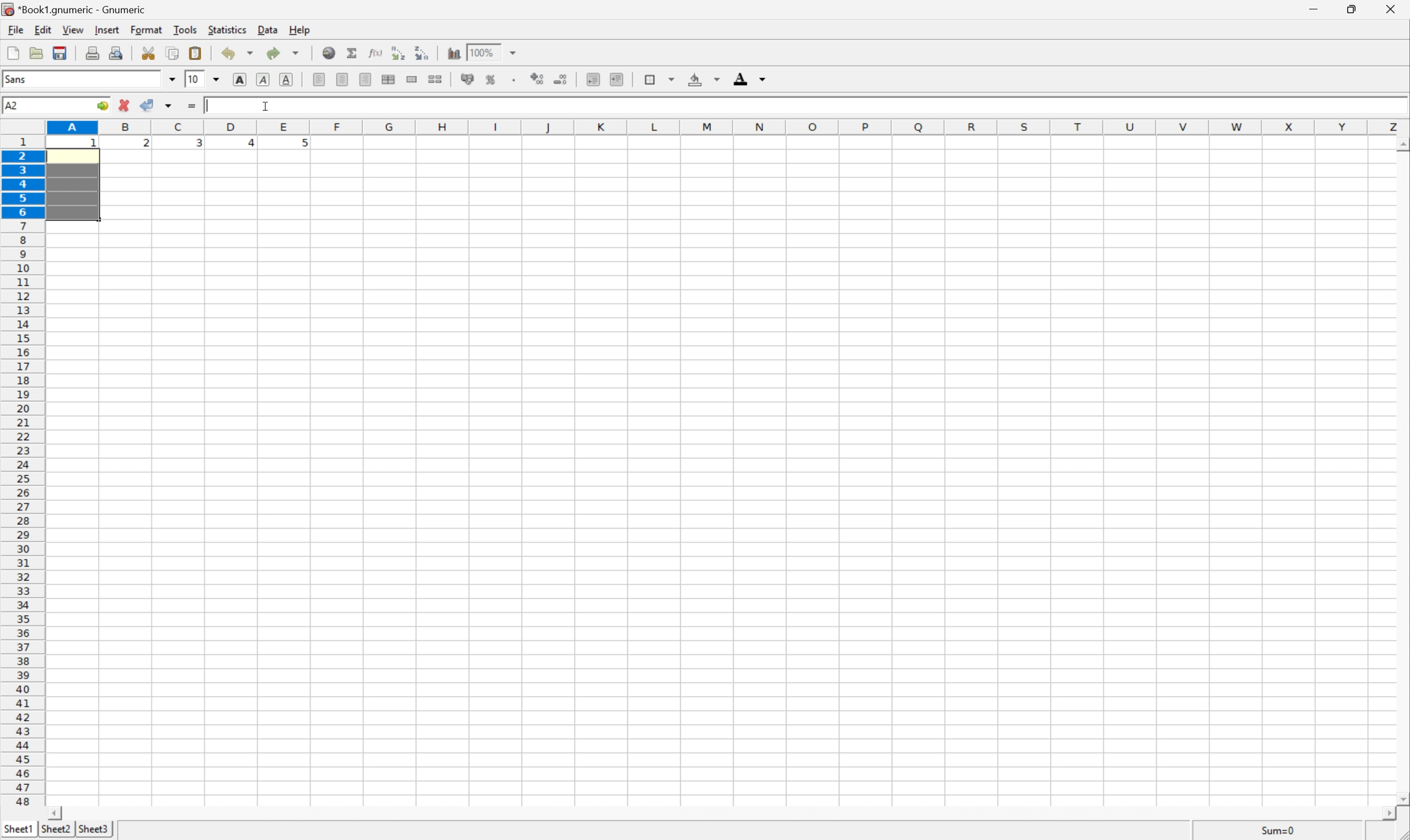  What do you see at coordinates (1319, 10) in the screenshot?
I see `minimize` at bounding box center [1319, 10].